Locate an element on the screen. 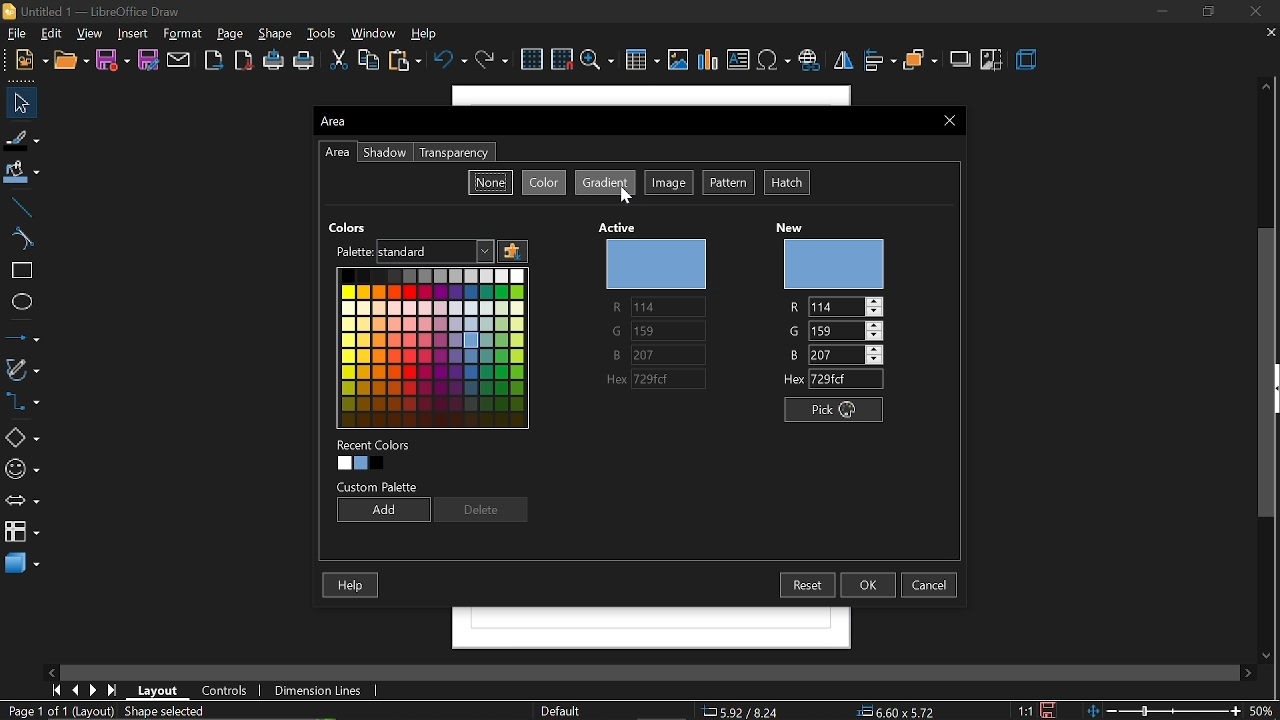 Image resolution: width=1280 pixels, height=720 pixels. go to last page is located at coordinates (112, 691).